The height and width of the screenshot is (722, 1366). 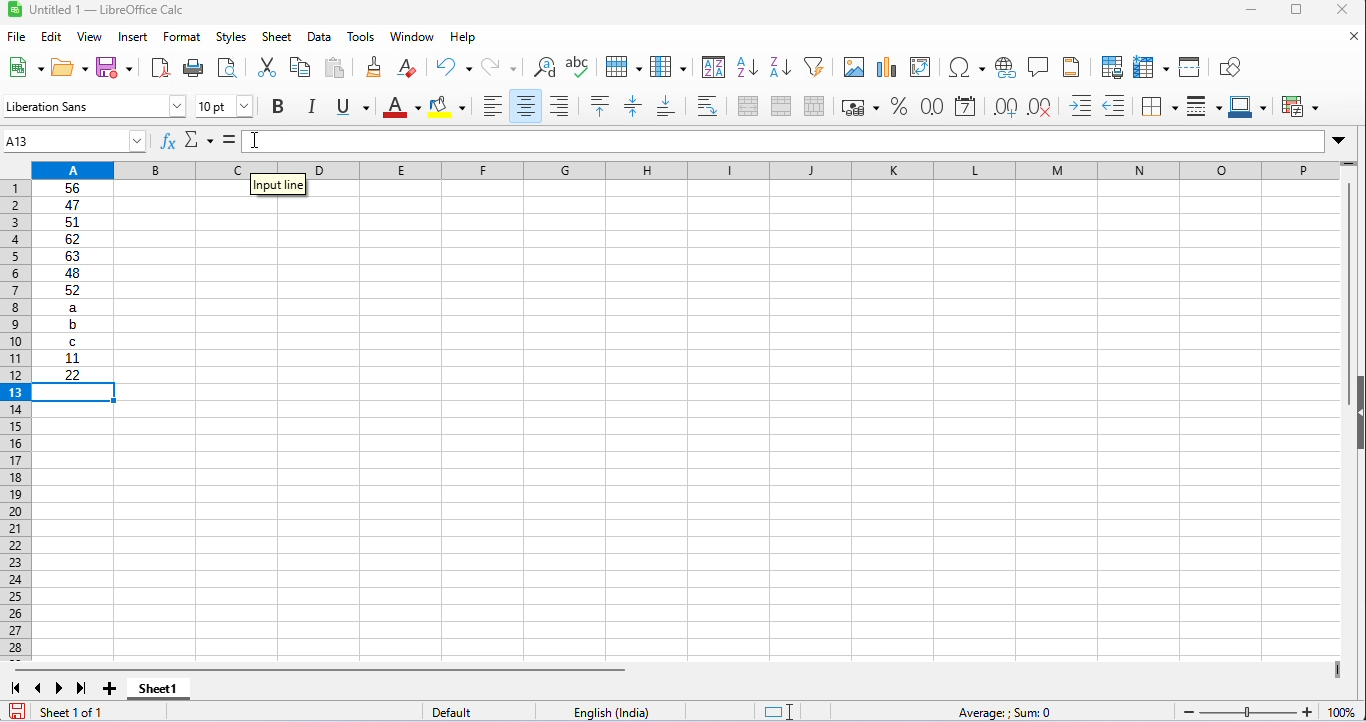 What do you see at coordinates (159, 690) in the screenshot?
I see `sheet1` at bounding box center [159, 690].